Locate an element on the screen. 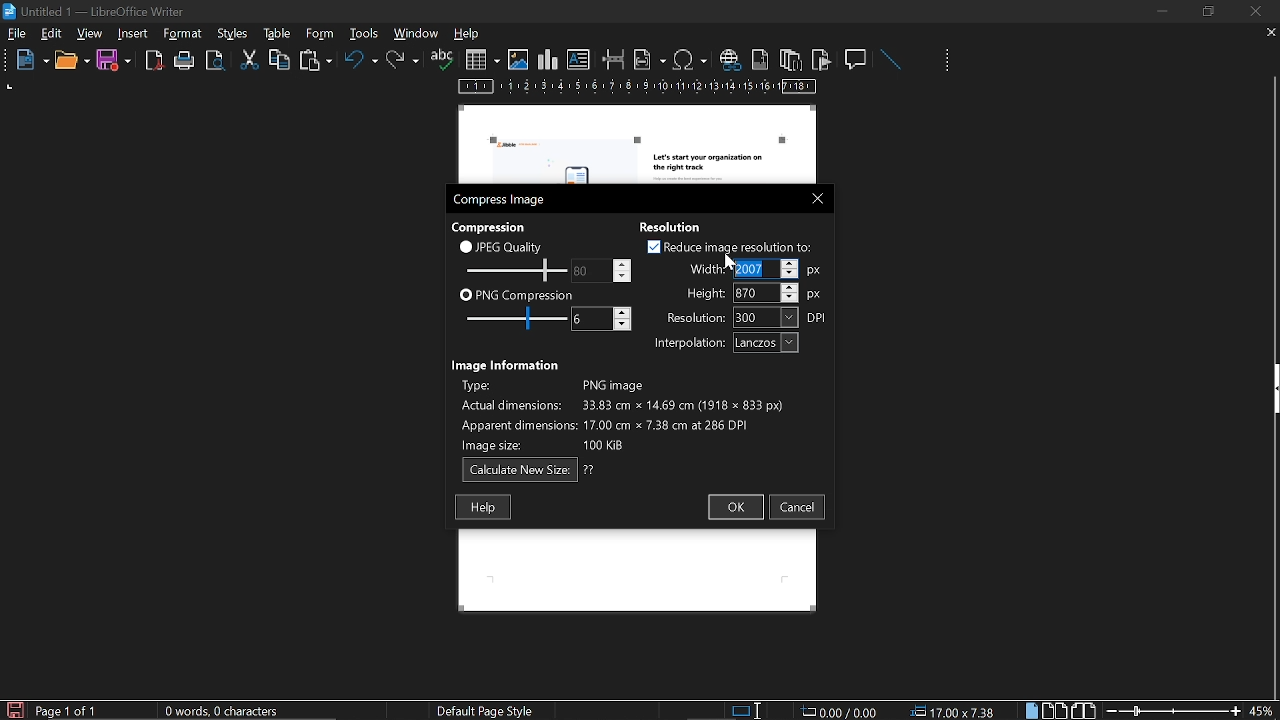  undo is located at coordinates (361, 63).